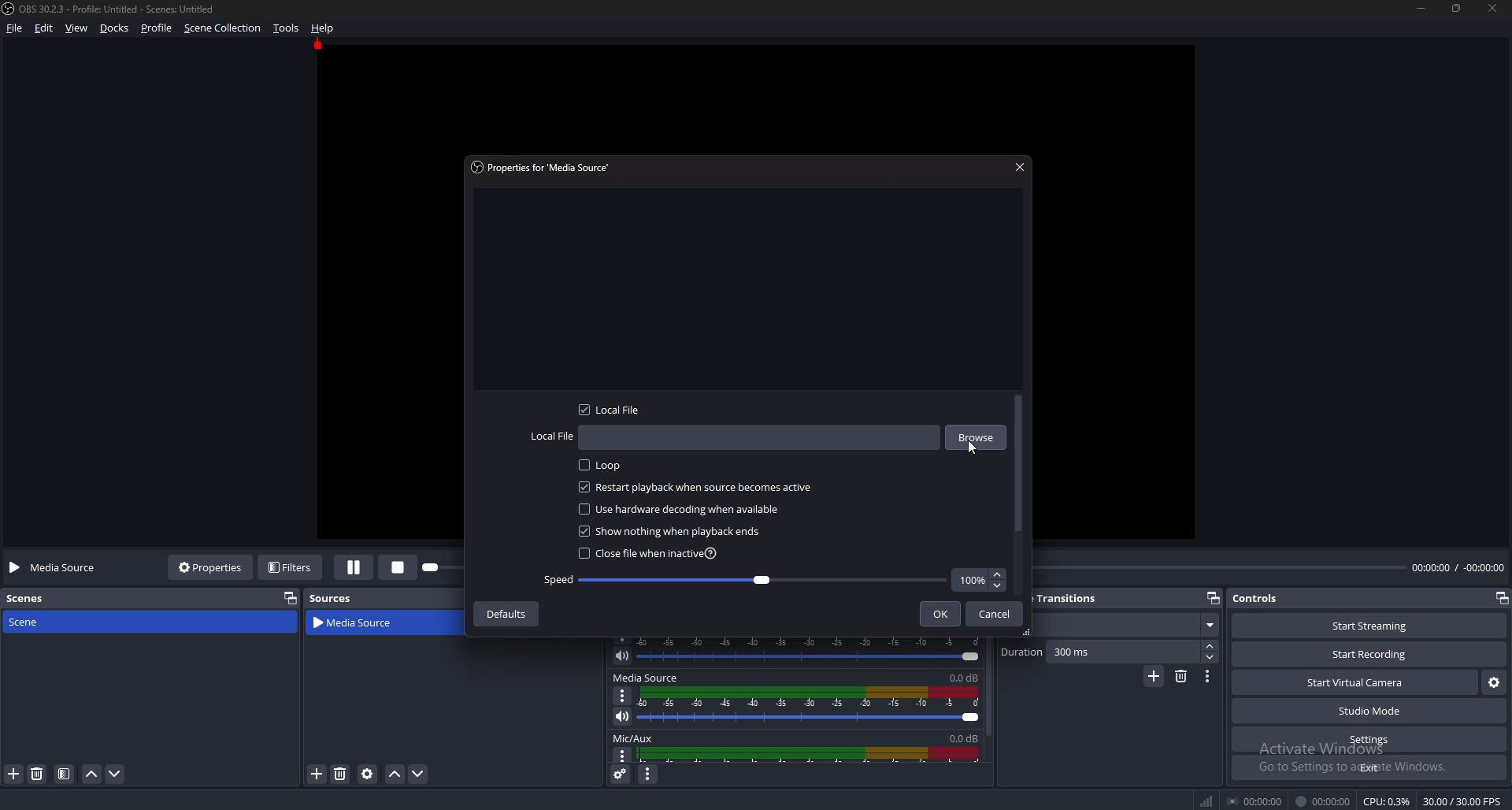 Image resolution: width=1512 pixels, height=810 pixels. Describe the element at coordinates (417, 774) in the screenshot. I see `Move sources down` at that location.